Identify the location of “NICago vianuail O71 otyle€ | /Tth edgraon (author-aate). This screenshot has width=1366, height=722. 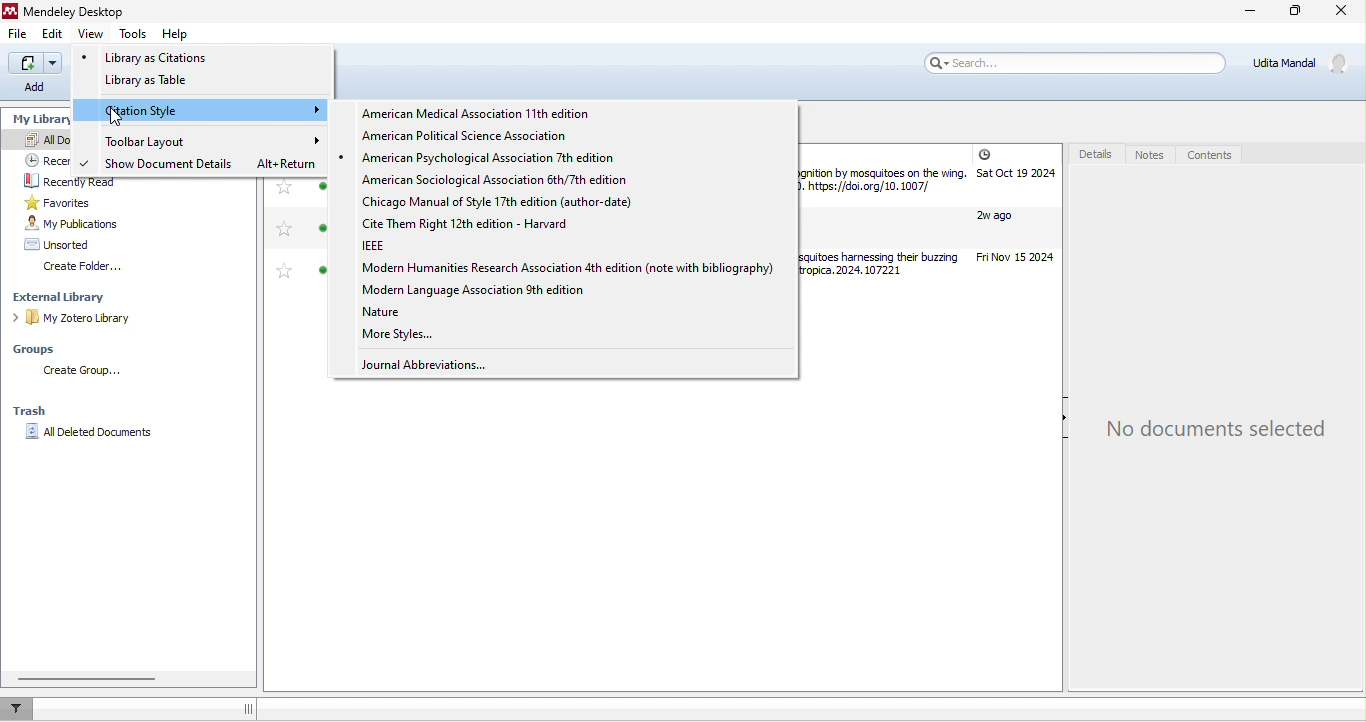
(512, 204).